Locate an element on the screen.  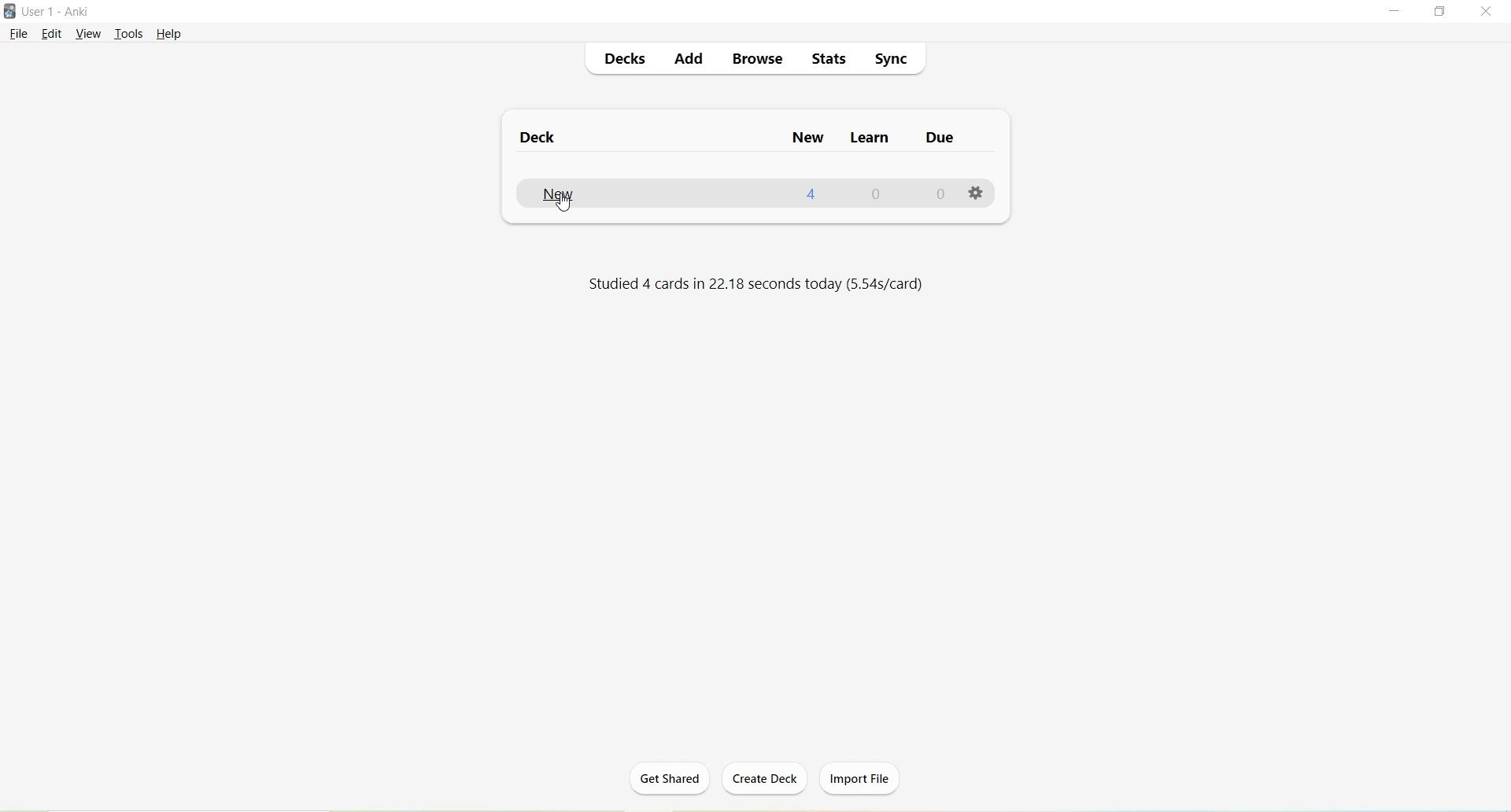
Options is located at coordinates (977, 193).